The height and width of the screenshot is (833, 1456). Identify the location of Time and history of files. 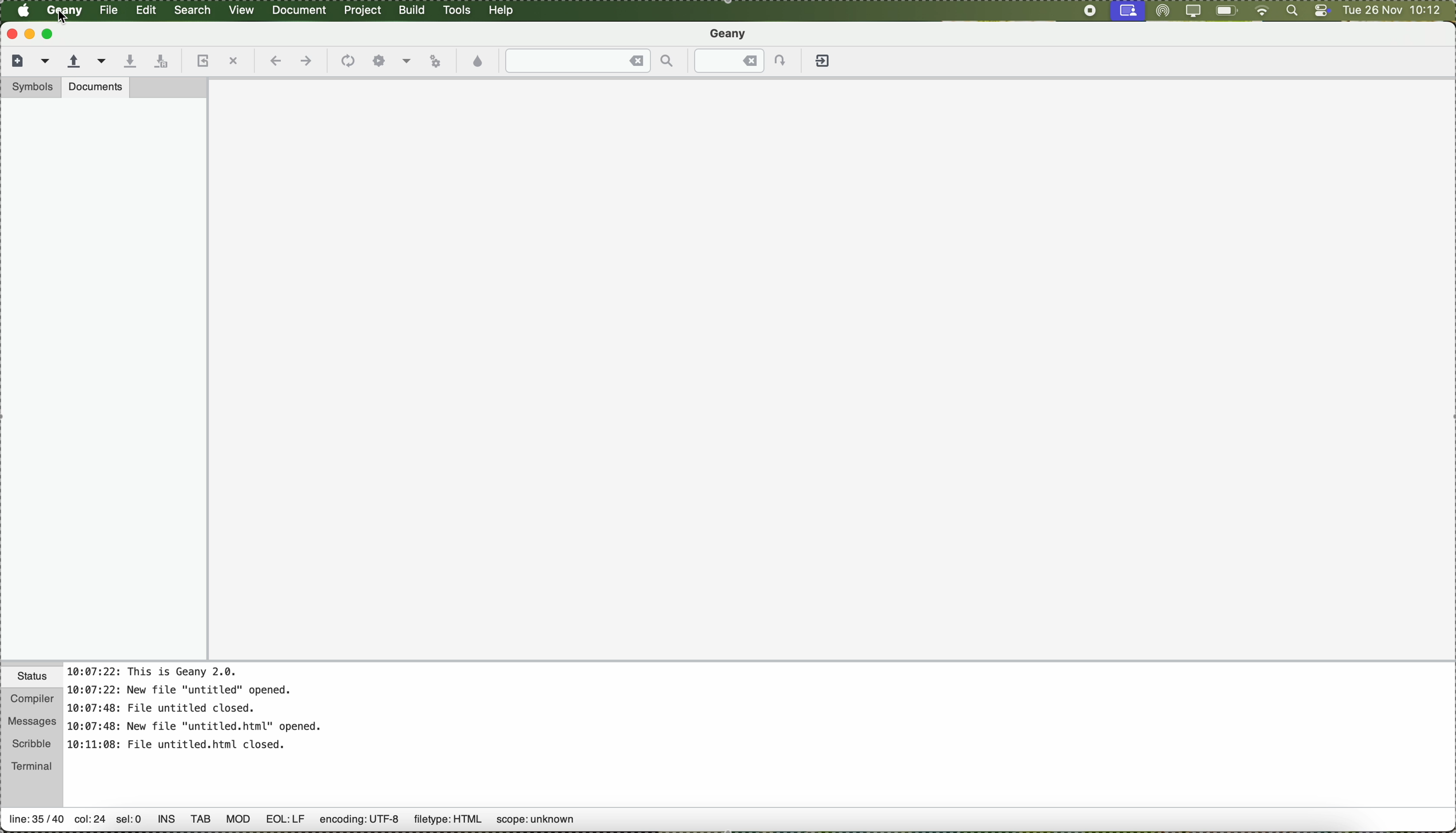
(197, 710).